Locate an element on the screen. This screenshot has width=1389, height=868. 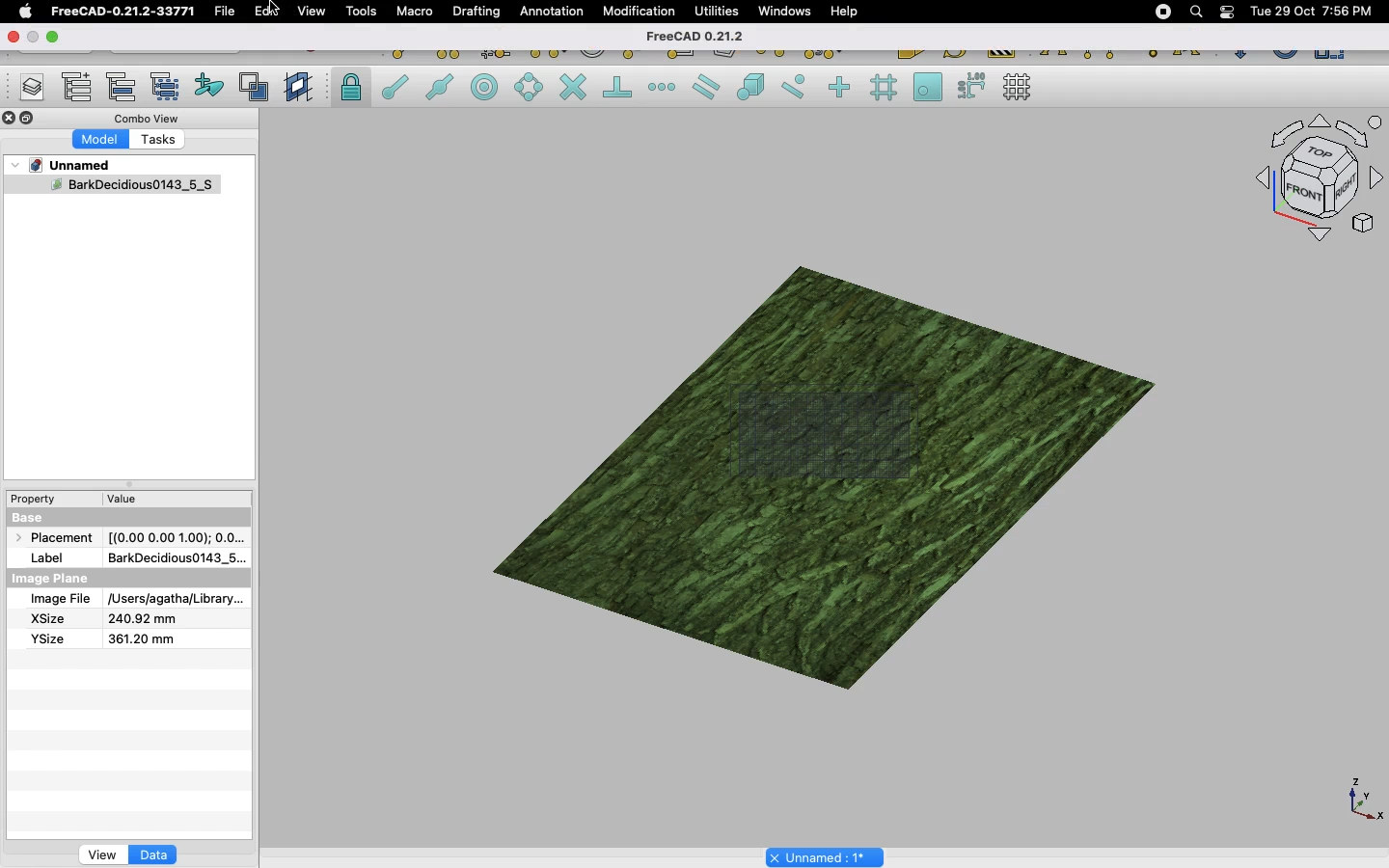
240.92 mm is located at coordinates (144, 619).